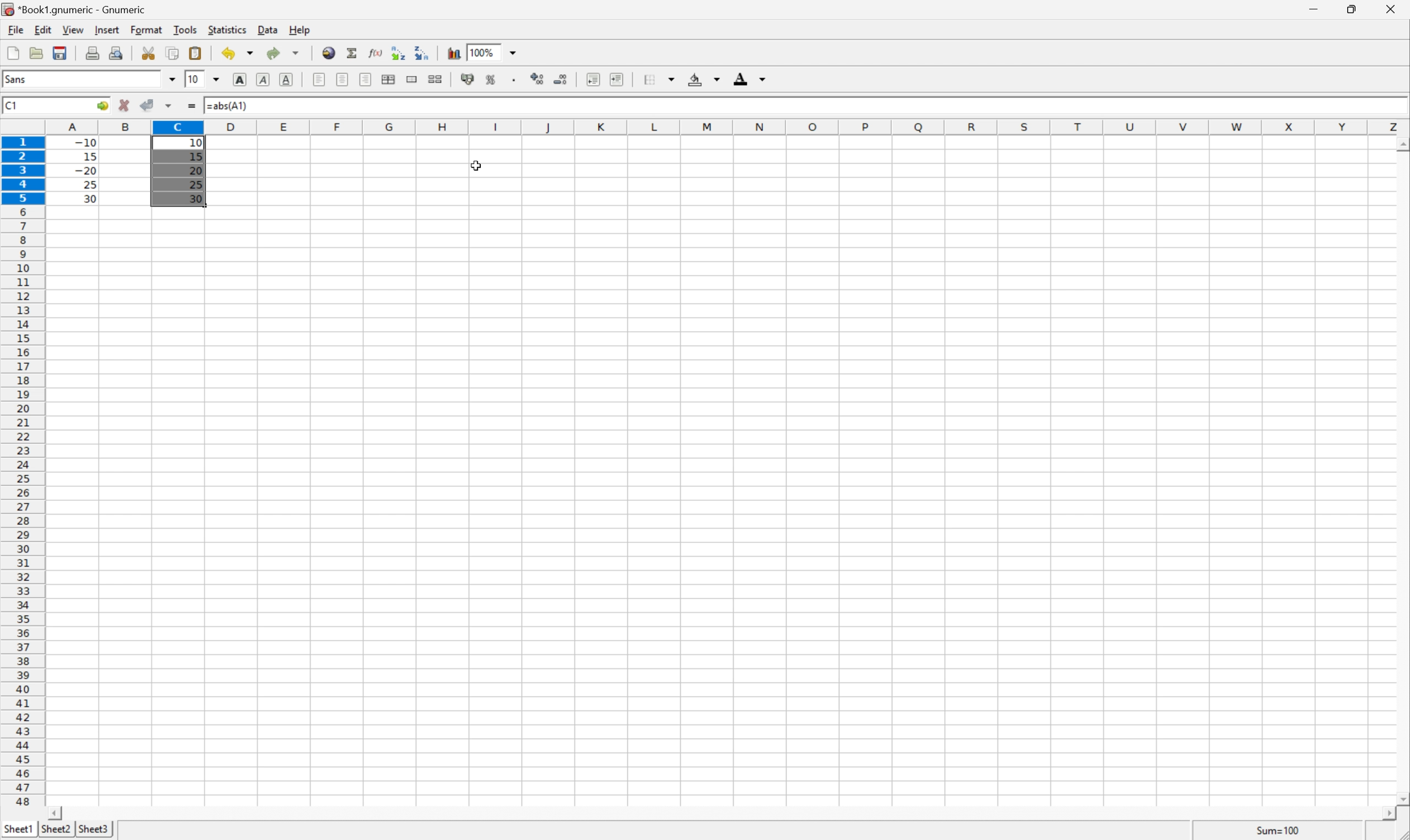  Describe the element at coordinates (1279, 831) in the screenshot. I see `Sum =-10` at that location.